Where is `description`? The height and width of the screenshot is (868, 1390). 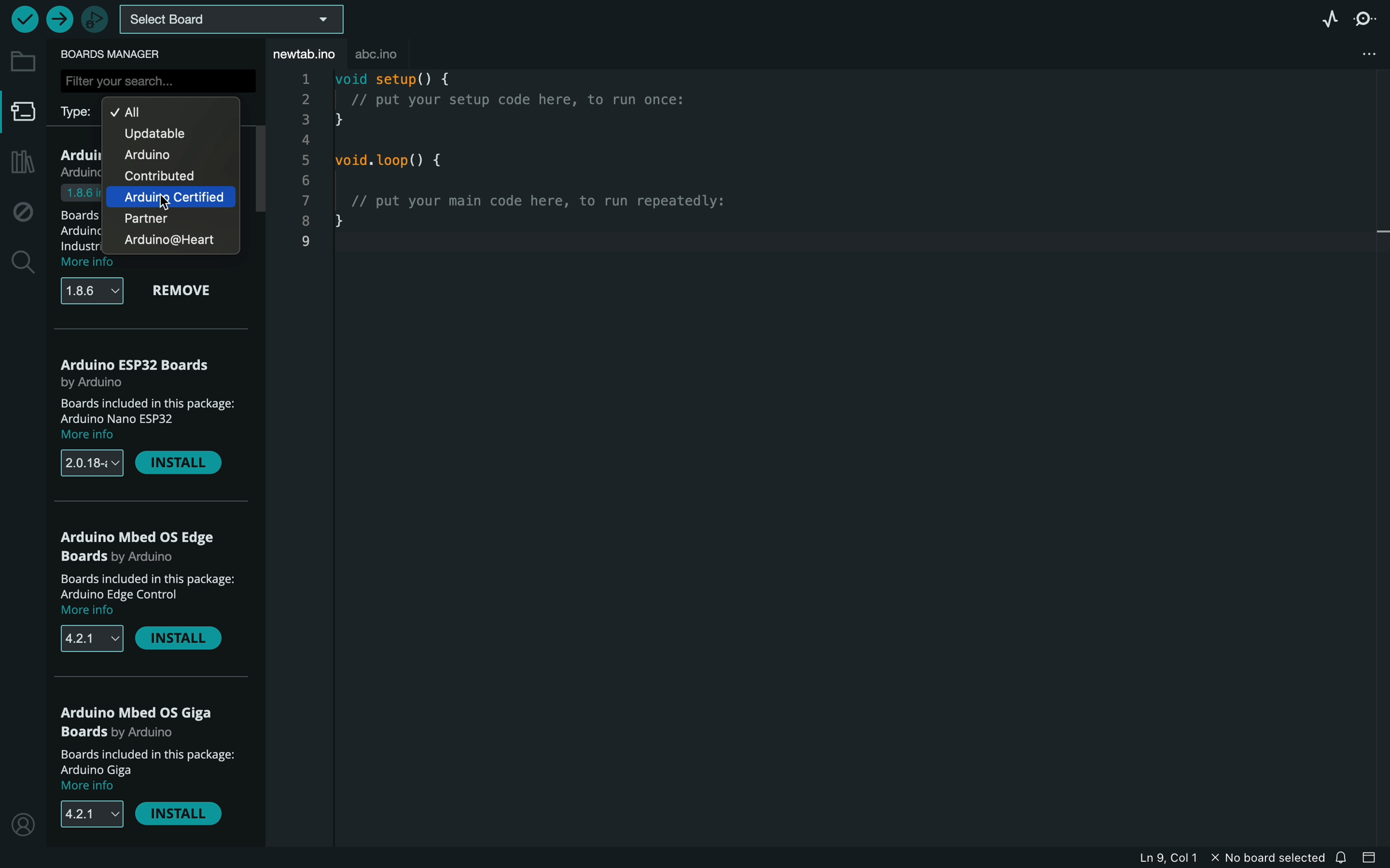
description is located at coordinates (150, 770).